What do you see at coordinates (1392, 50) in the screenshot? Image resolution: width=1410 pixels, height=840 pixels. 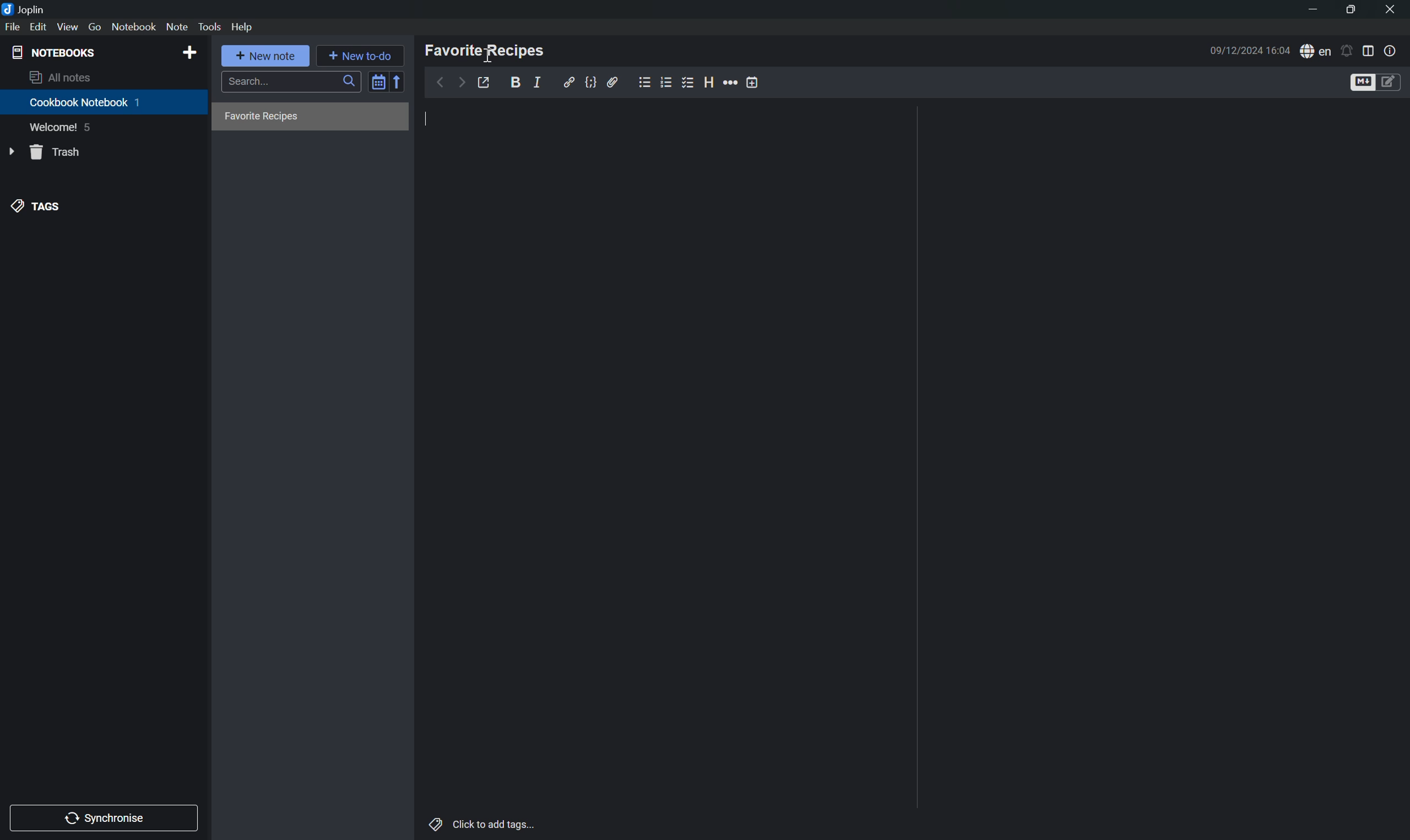 I see `Note properties` at bounding box center [1392, 50].